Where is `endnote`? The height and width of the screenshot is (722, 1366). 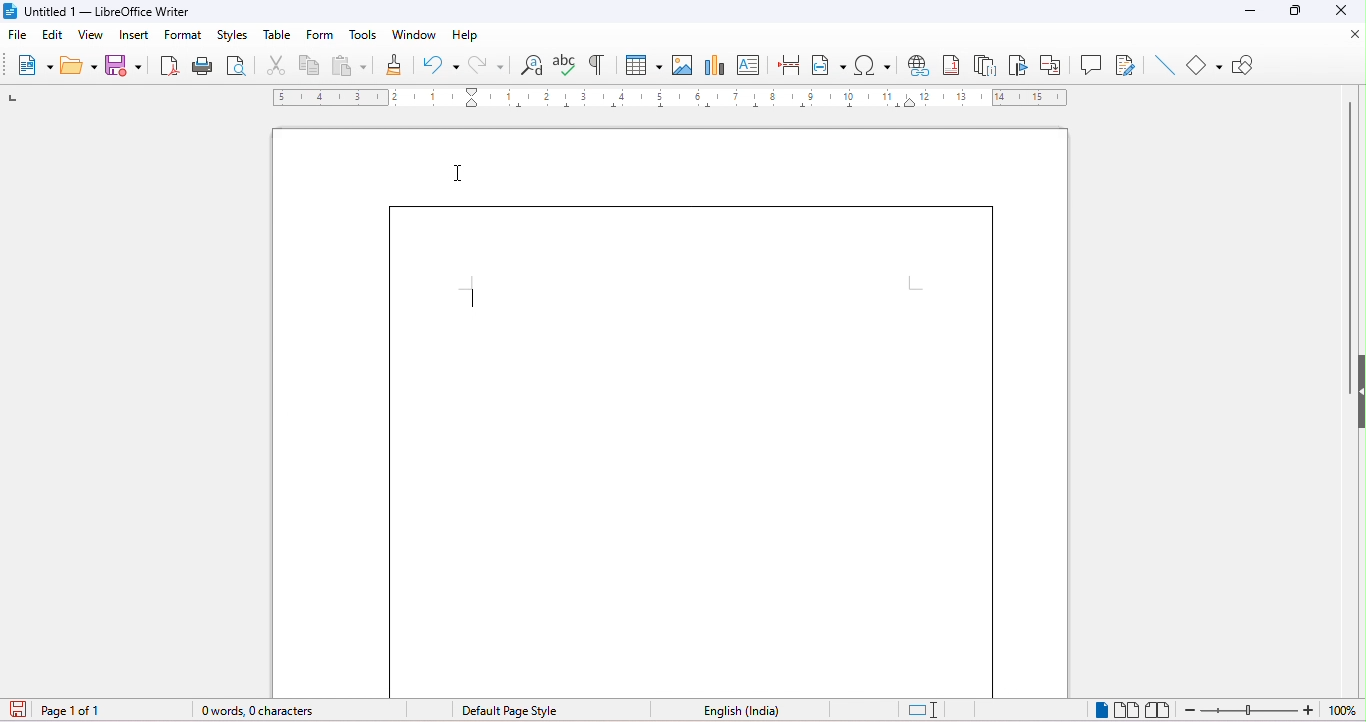 endnote is located at coordinates (989, 64).